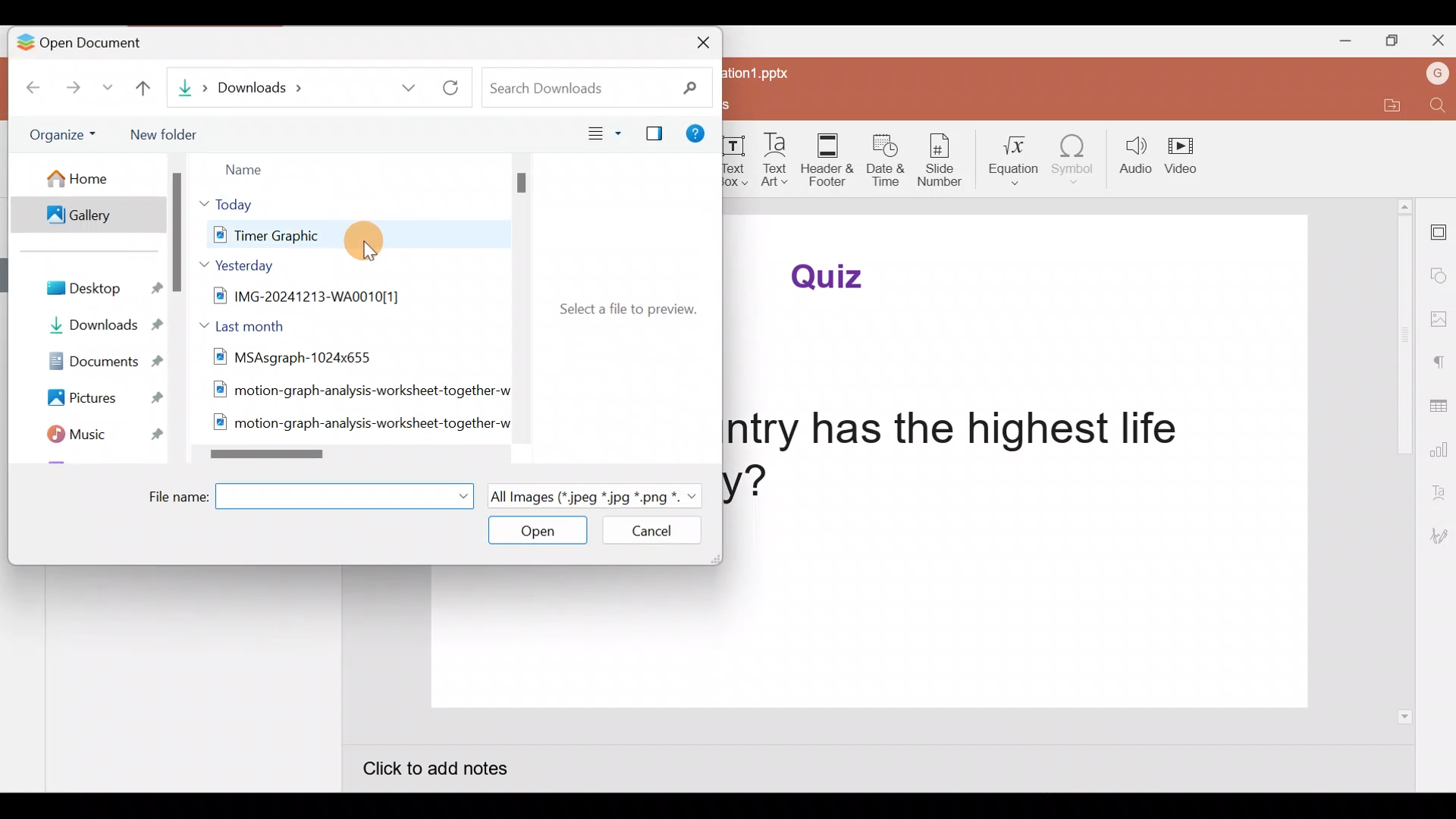  What do you see at coordinates (1439, 230) in the screenshot?
I see `Slide settings` at bounding box center [1439, 230].